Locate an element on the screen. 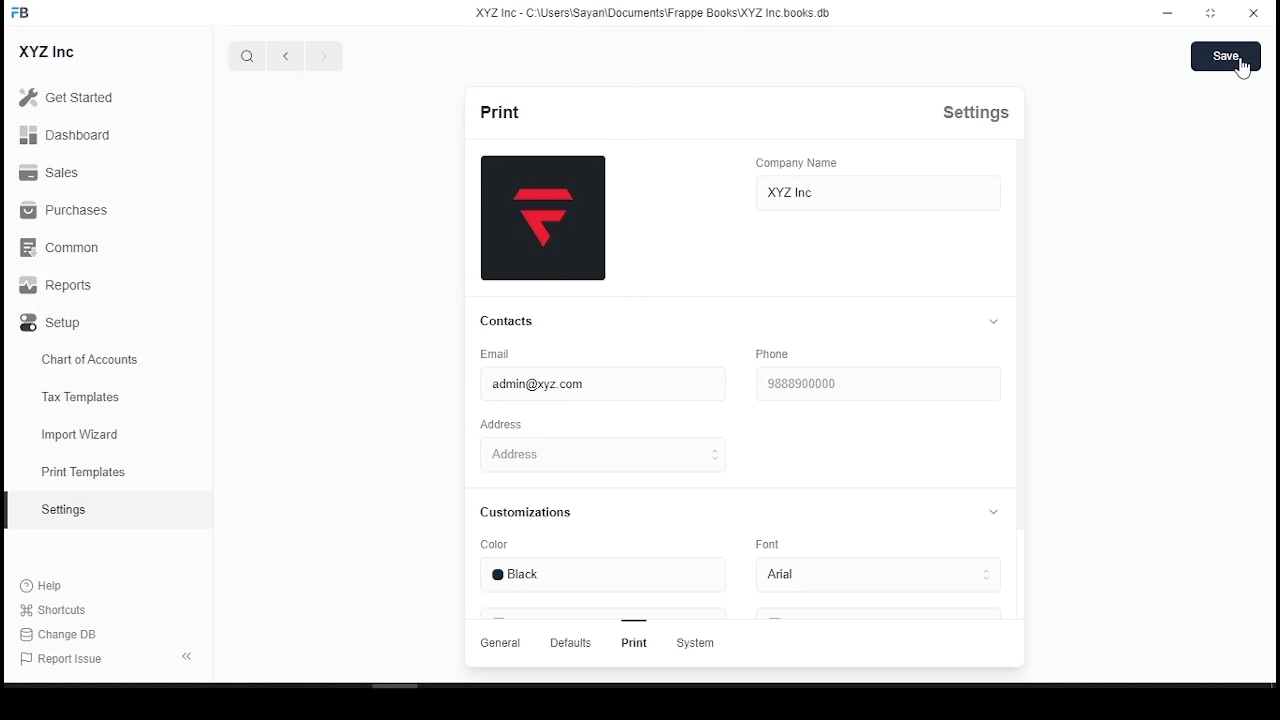  print is located at coordinates (499, 113).